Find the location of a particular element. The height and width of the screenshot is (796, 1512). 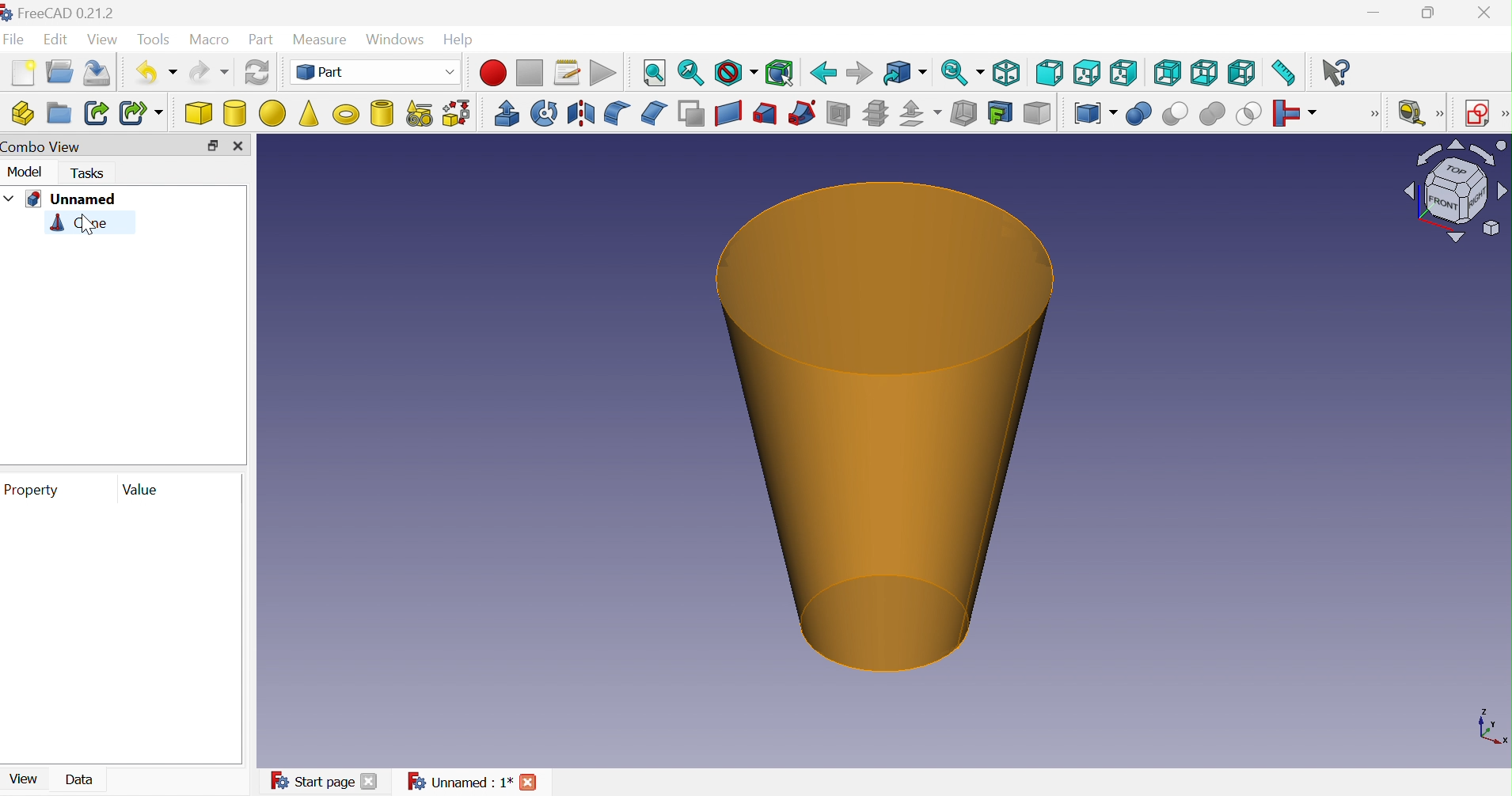

Measure distance is located at coordinates (1286, 73).